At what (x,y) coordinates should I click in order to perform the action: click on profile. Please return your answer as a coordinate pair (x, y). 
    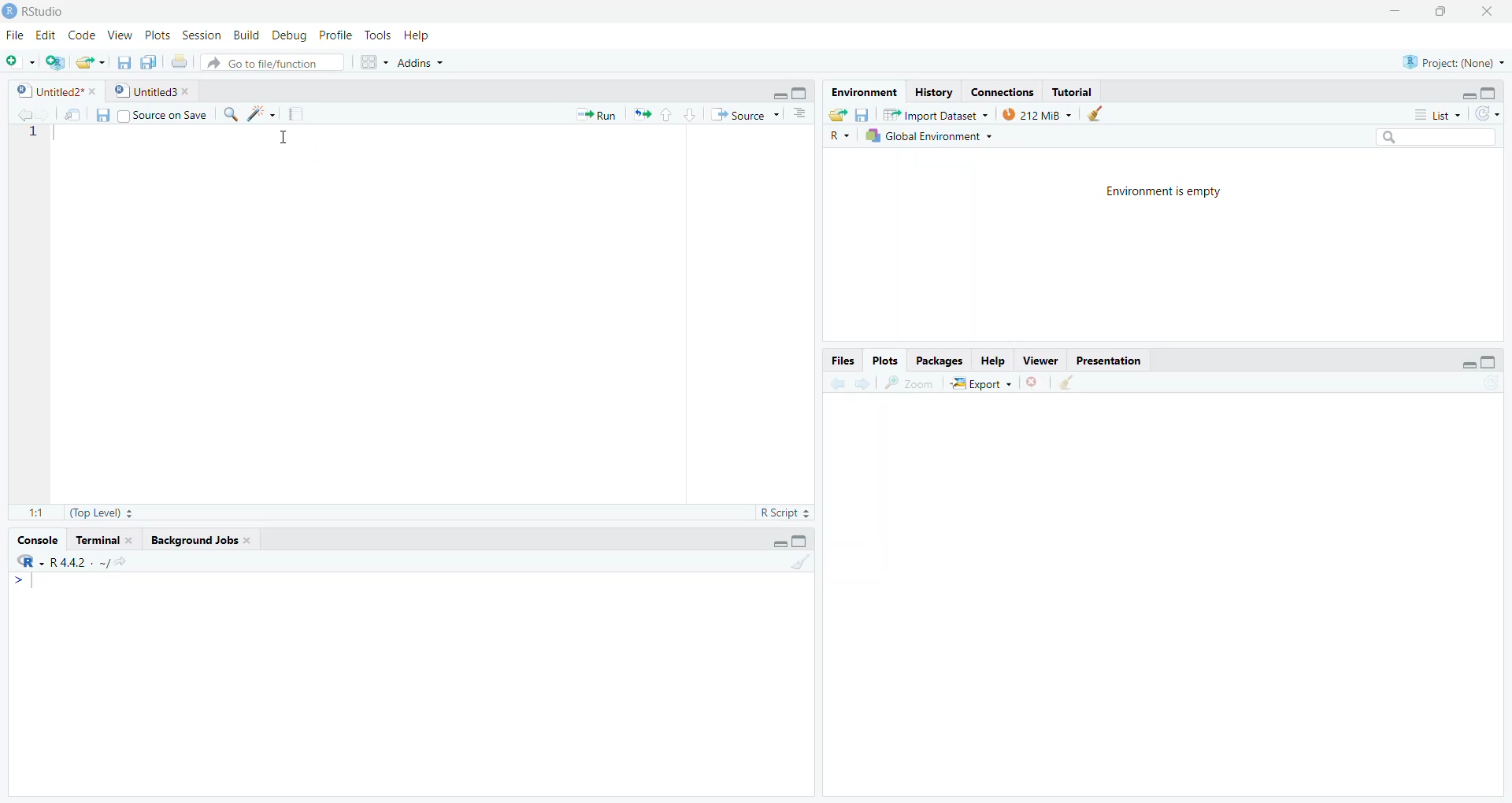
    Looking at the image, I should click on (335, 35).